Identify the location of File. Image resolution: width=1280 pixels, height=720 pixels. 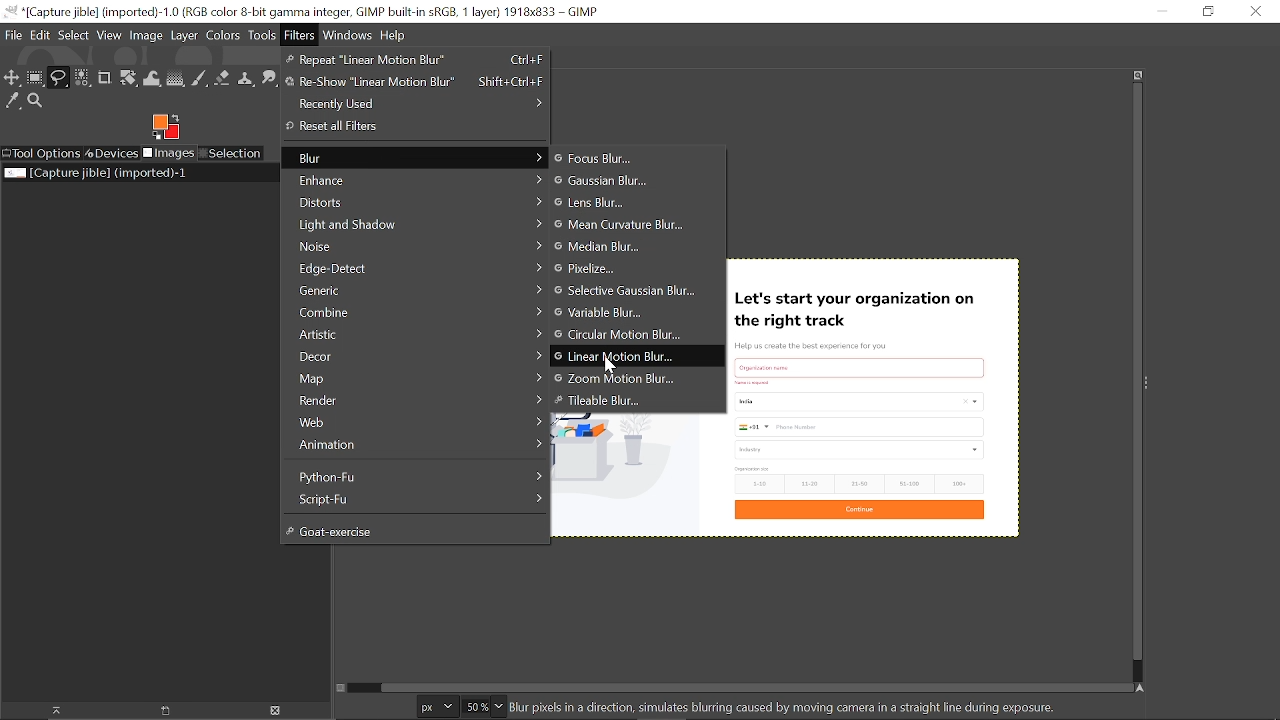
(13, 35).